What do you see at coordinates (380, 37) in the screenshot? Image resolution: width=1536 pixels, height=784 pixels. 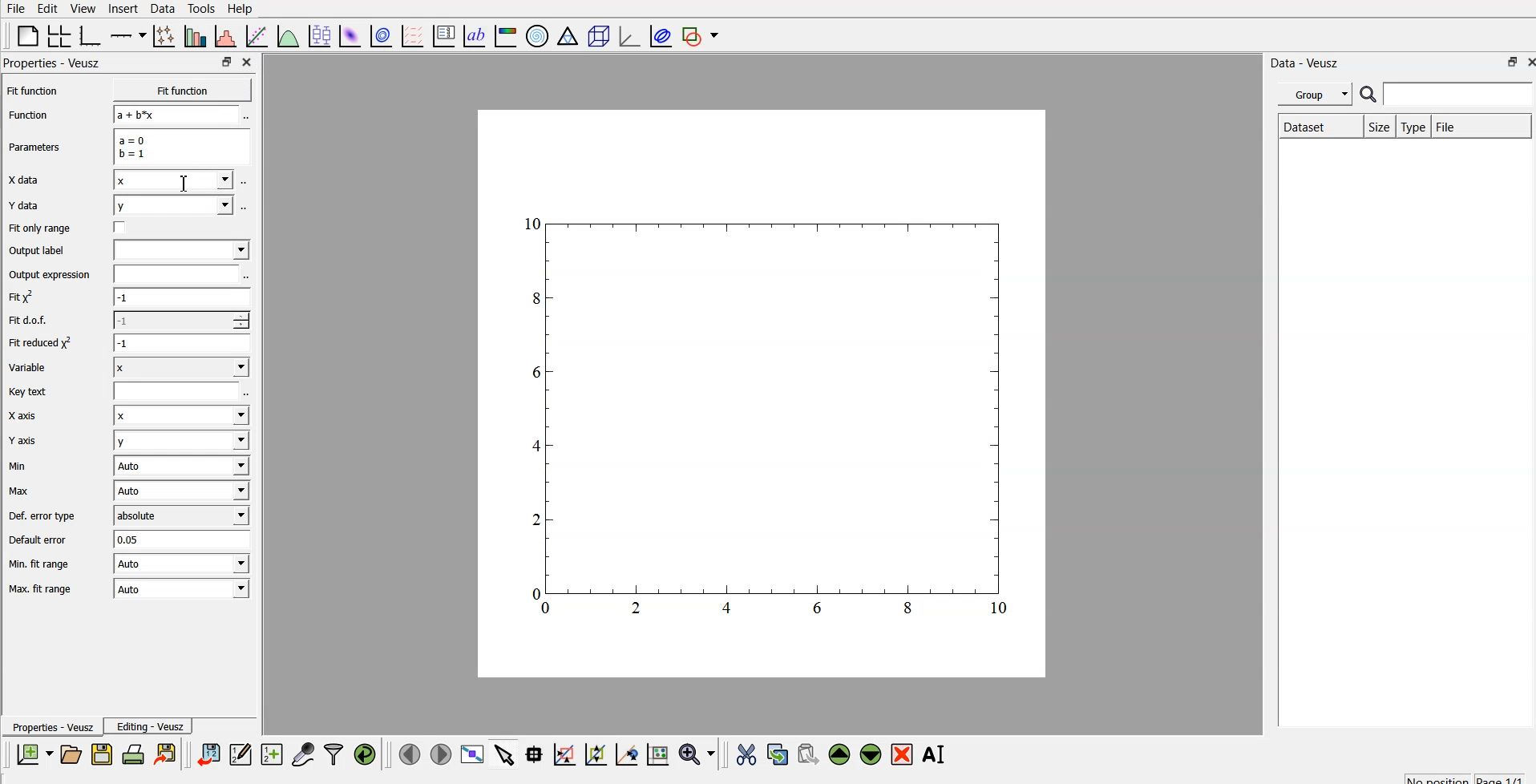 I see `plot 2d data set as contours` at bounding box center [380, 37].